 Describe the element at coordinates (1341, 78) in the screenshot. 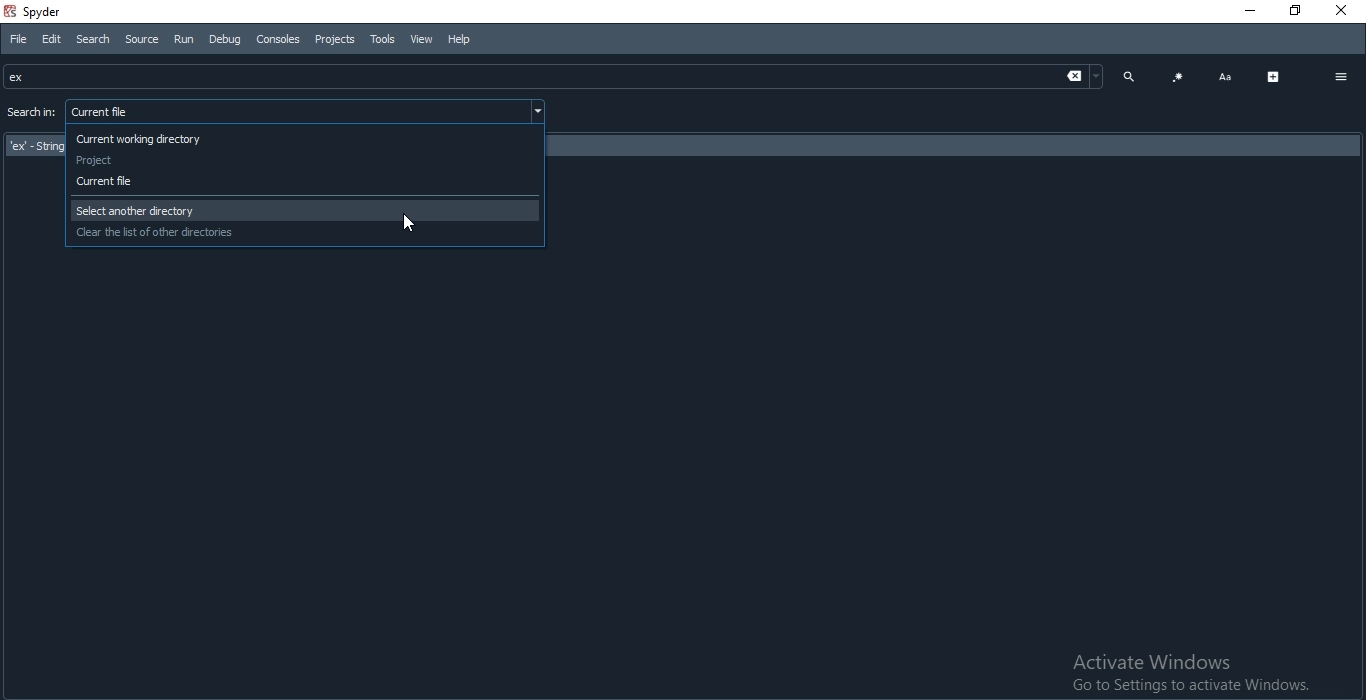

I see `options` at that location.